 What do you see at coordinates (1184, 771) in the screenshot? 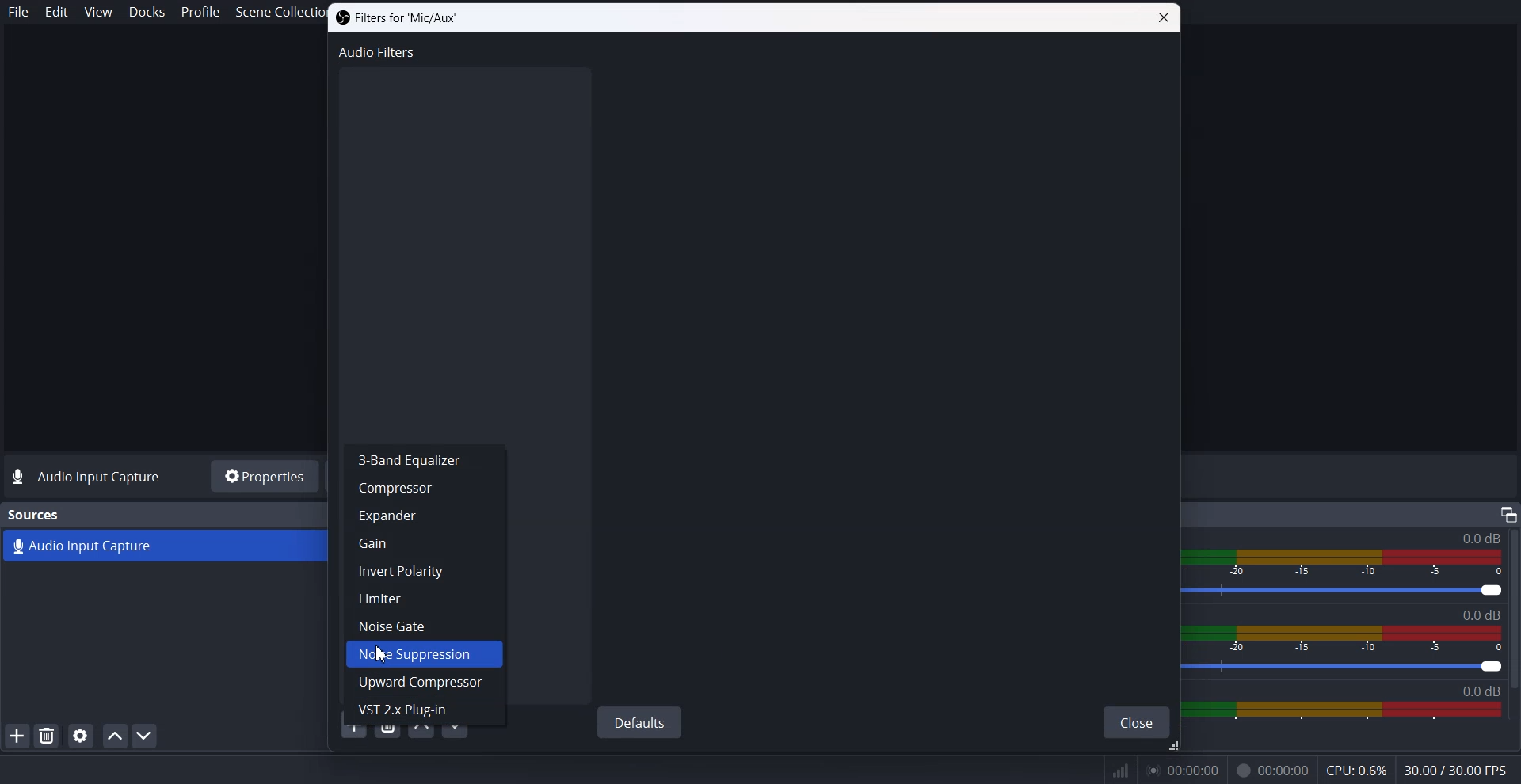
I see `0.00` at bounding box center [1184, 771].